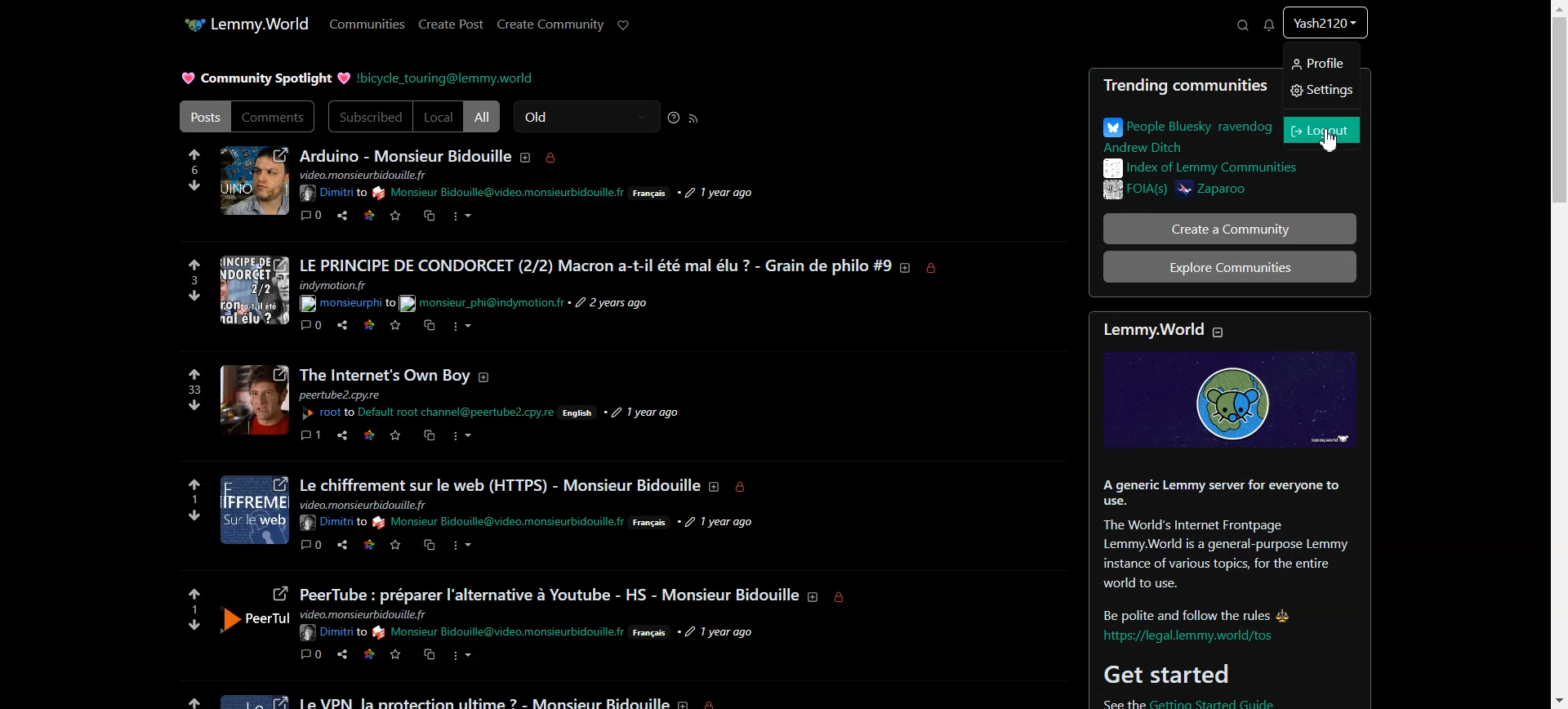 This screenshot has width=1568, height=709. I want to click on Hyperlink, so click(498, 631).